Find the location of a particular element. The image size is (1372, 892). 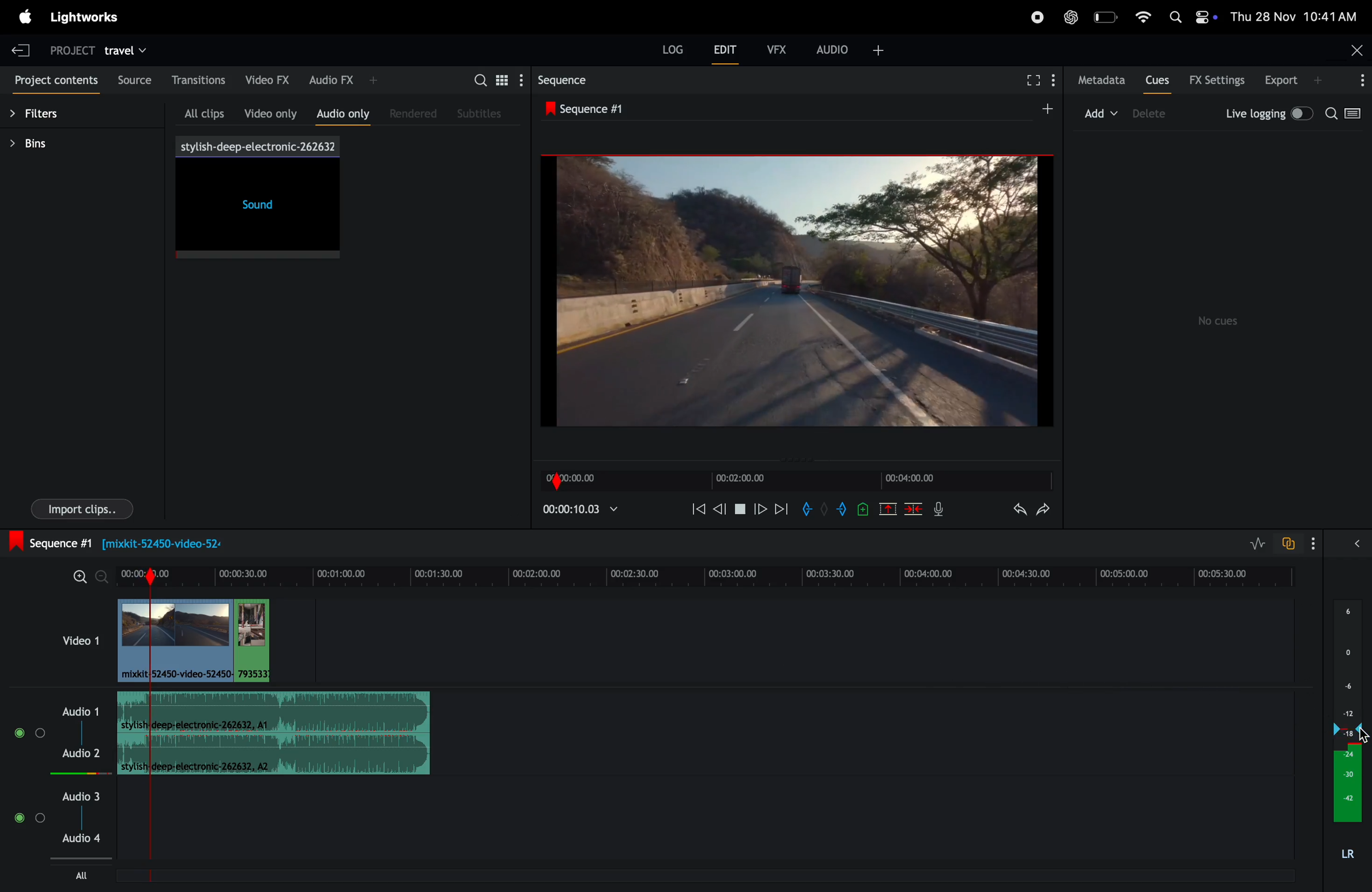

edit is located at coordinates (728, 49).